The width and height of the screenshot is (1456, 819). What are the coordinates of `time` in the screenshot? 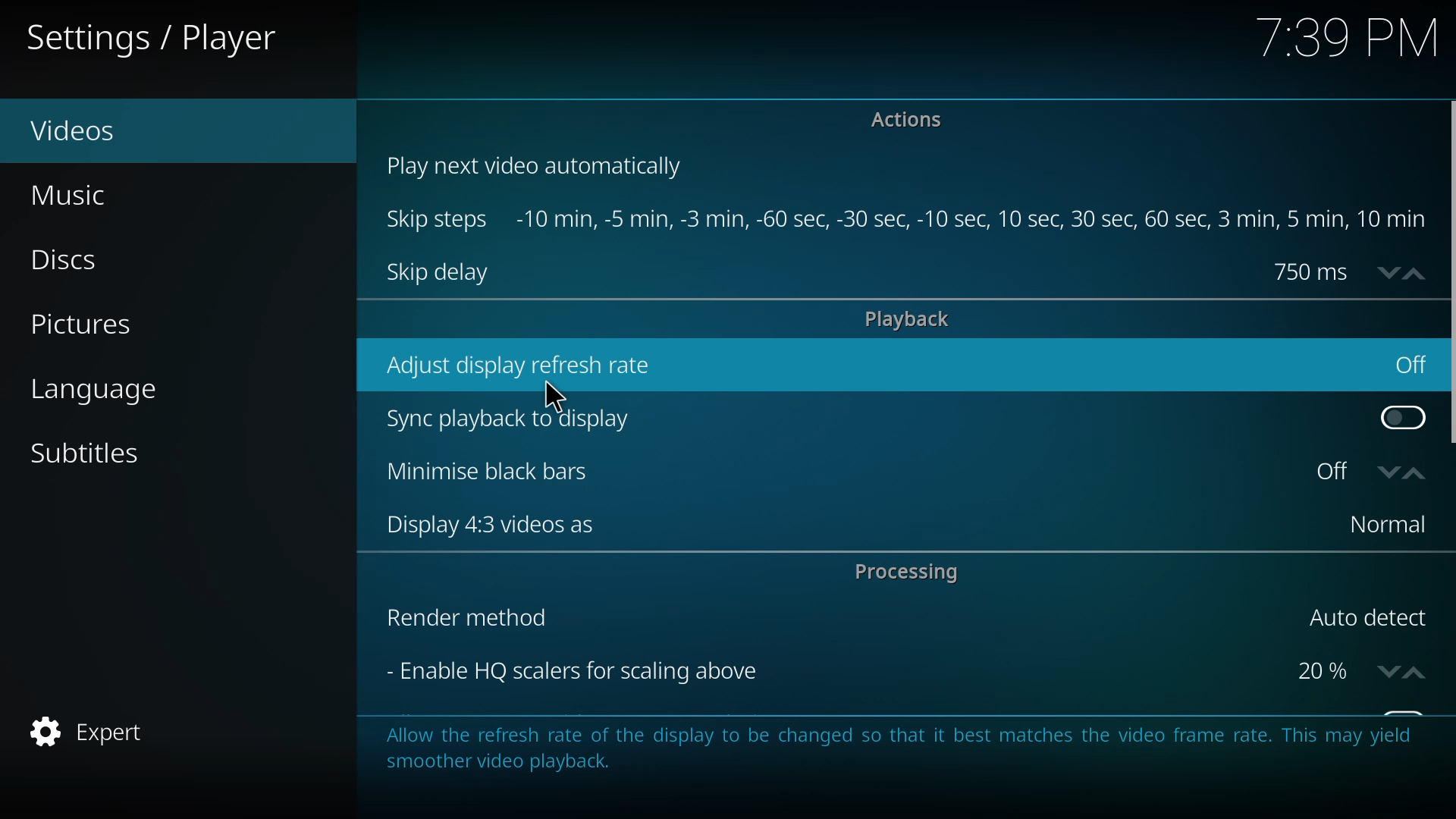 It's located at (1348, 36).